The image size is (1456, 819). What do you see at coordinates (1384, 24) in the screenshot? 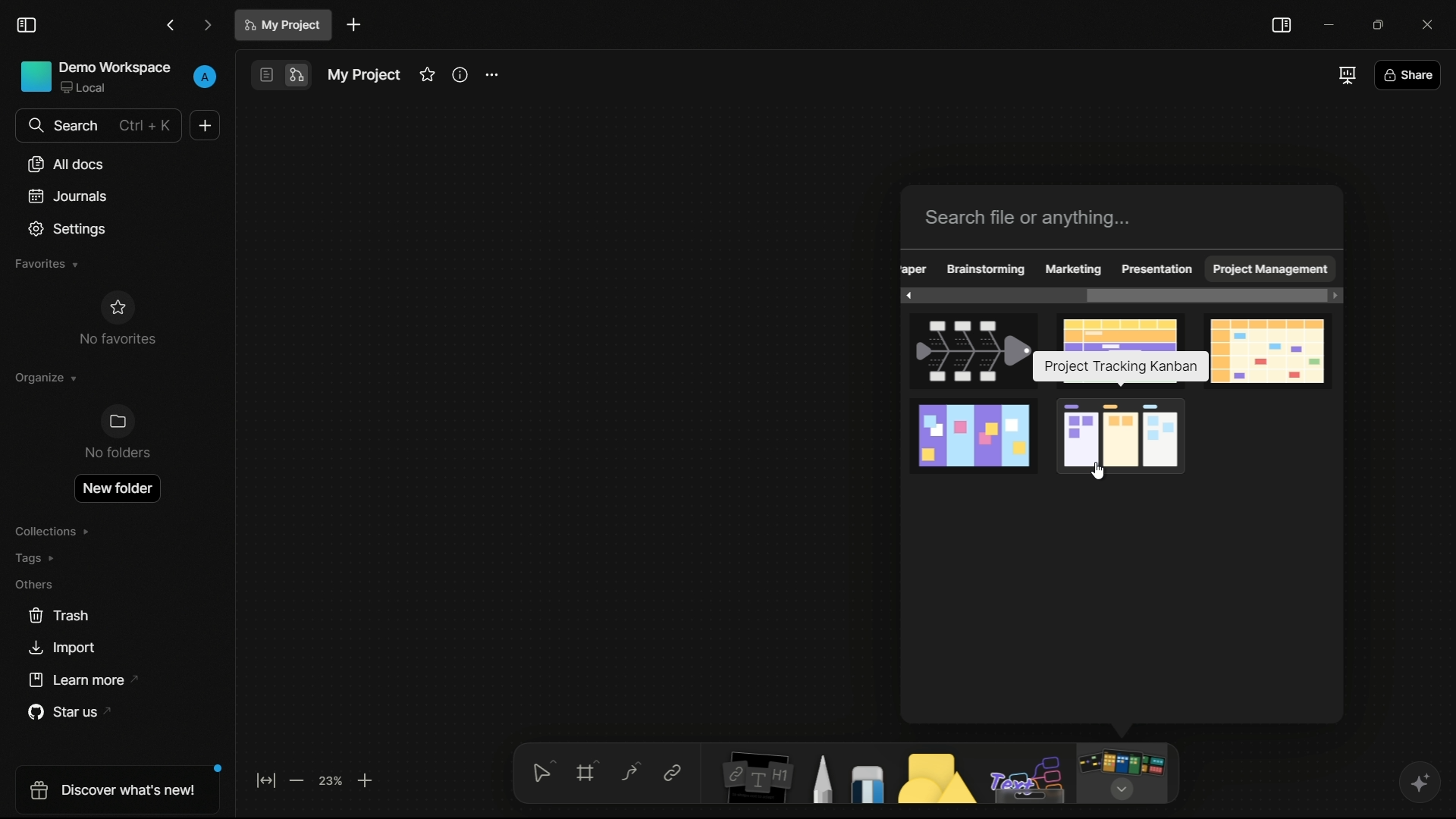
I see `maximize or restore` at bounding box center [1384, 24].